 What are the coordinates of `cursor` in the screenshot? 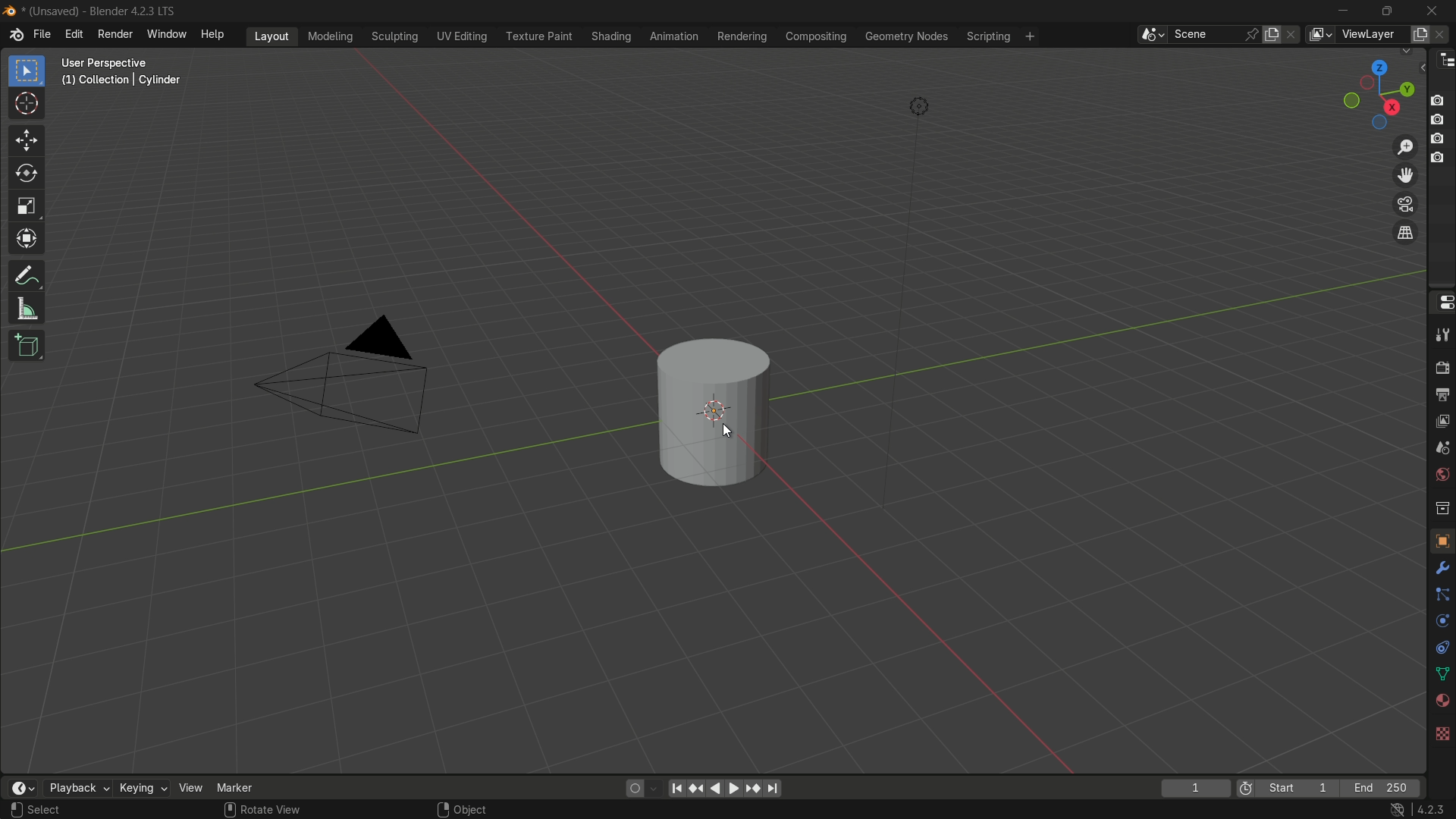 It's located at (27, 105).